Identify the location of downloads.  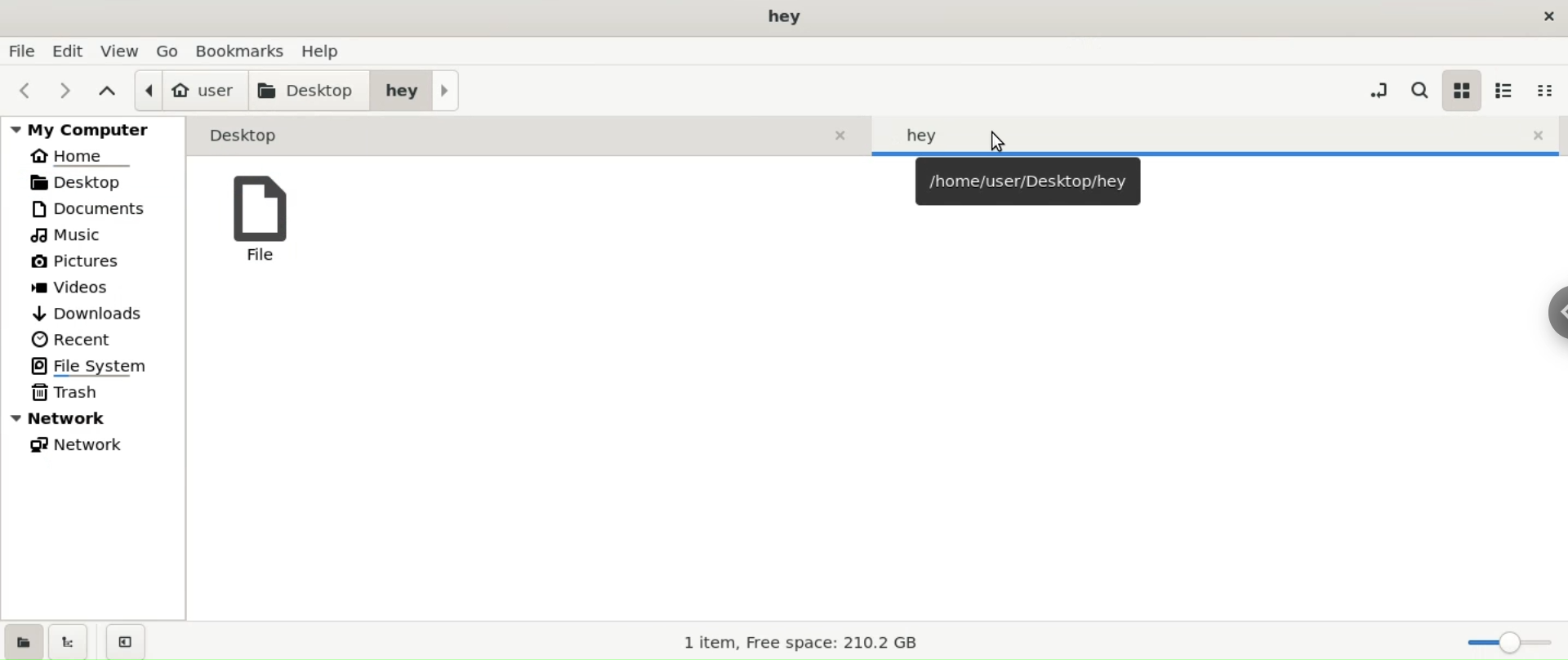
(96, 313).